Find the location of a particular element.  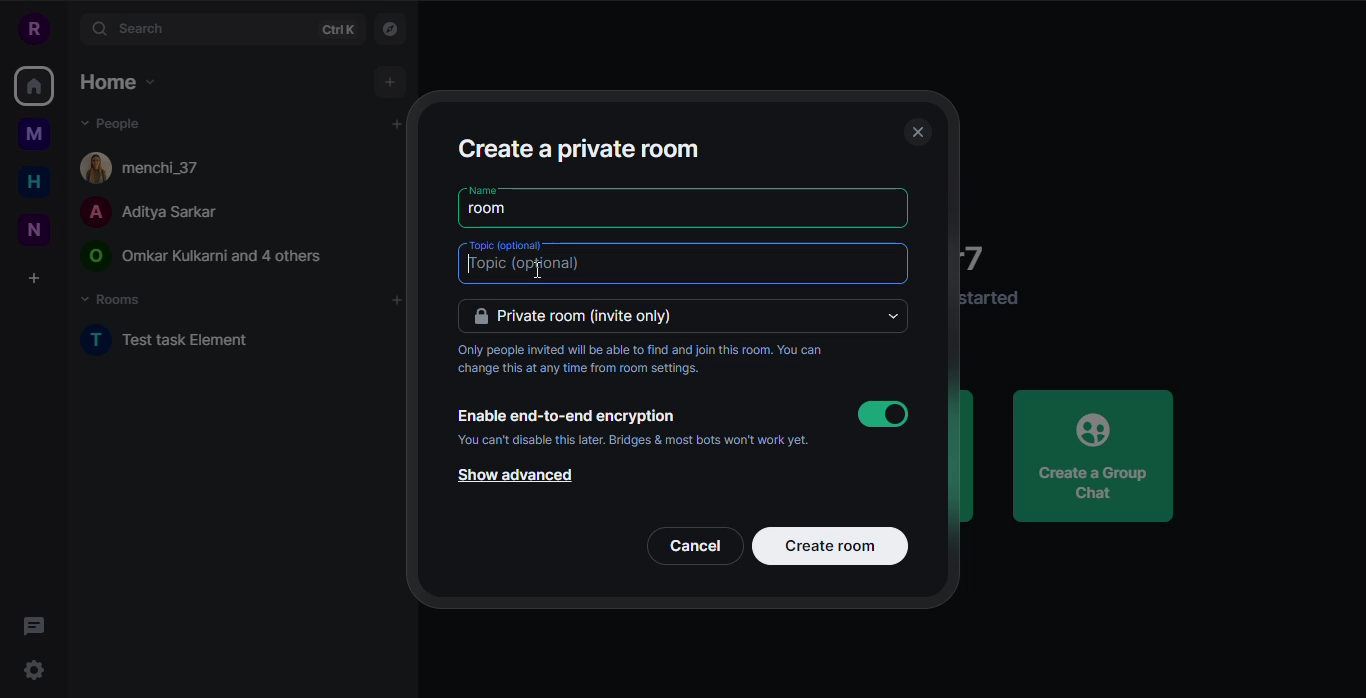

add is located at coordinates (386, 126).